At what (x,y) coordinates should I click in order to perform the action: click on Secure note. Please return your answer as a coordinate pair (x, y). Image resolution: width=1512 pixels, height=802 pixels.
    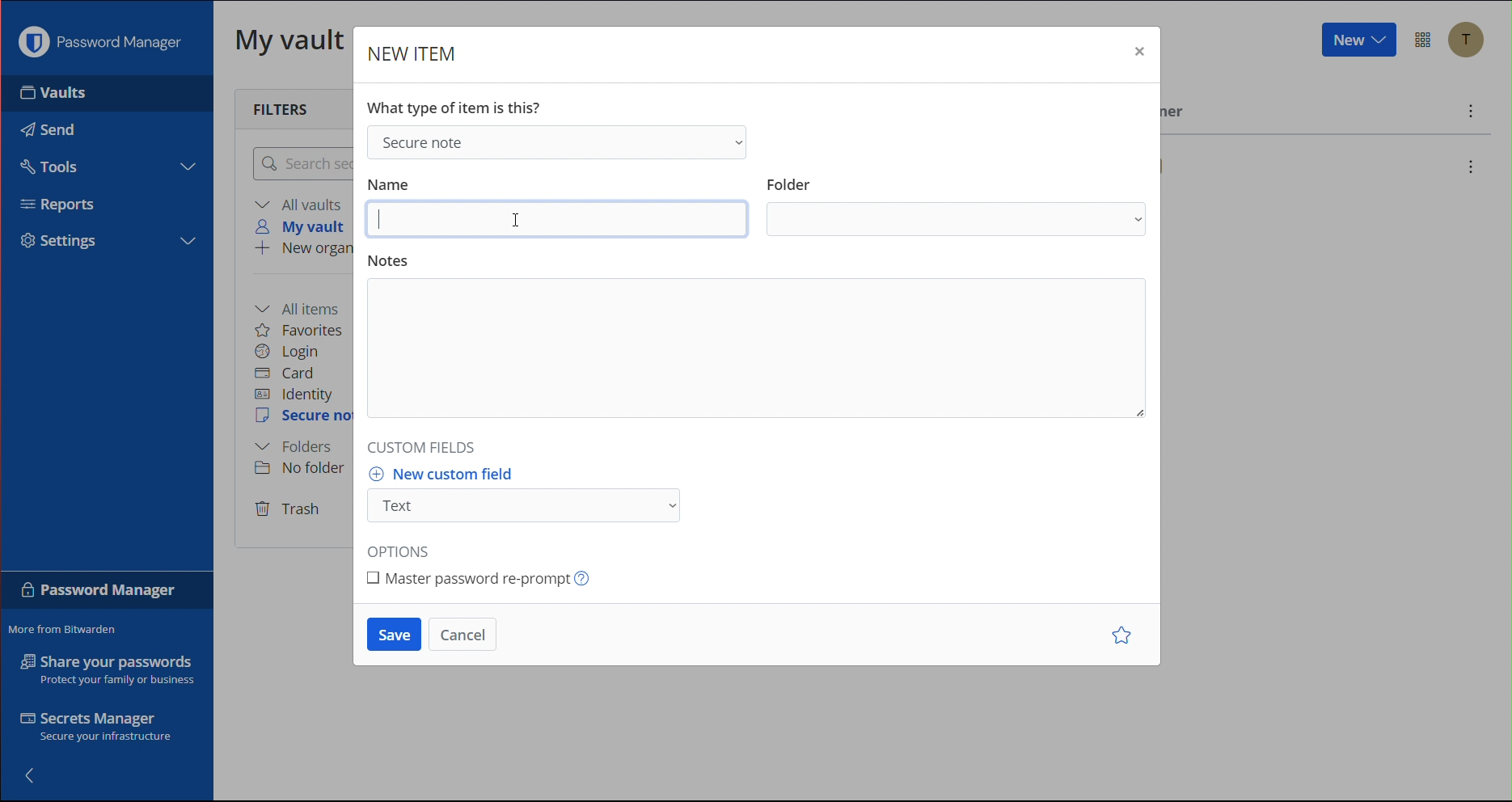
    Looking at the image, I should click on (555, 141).